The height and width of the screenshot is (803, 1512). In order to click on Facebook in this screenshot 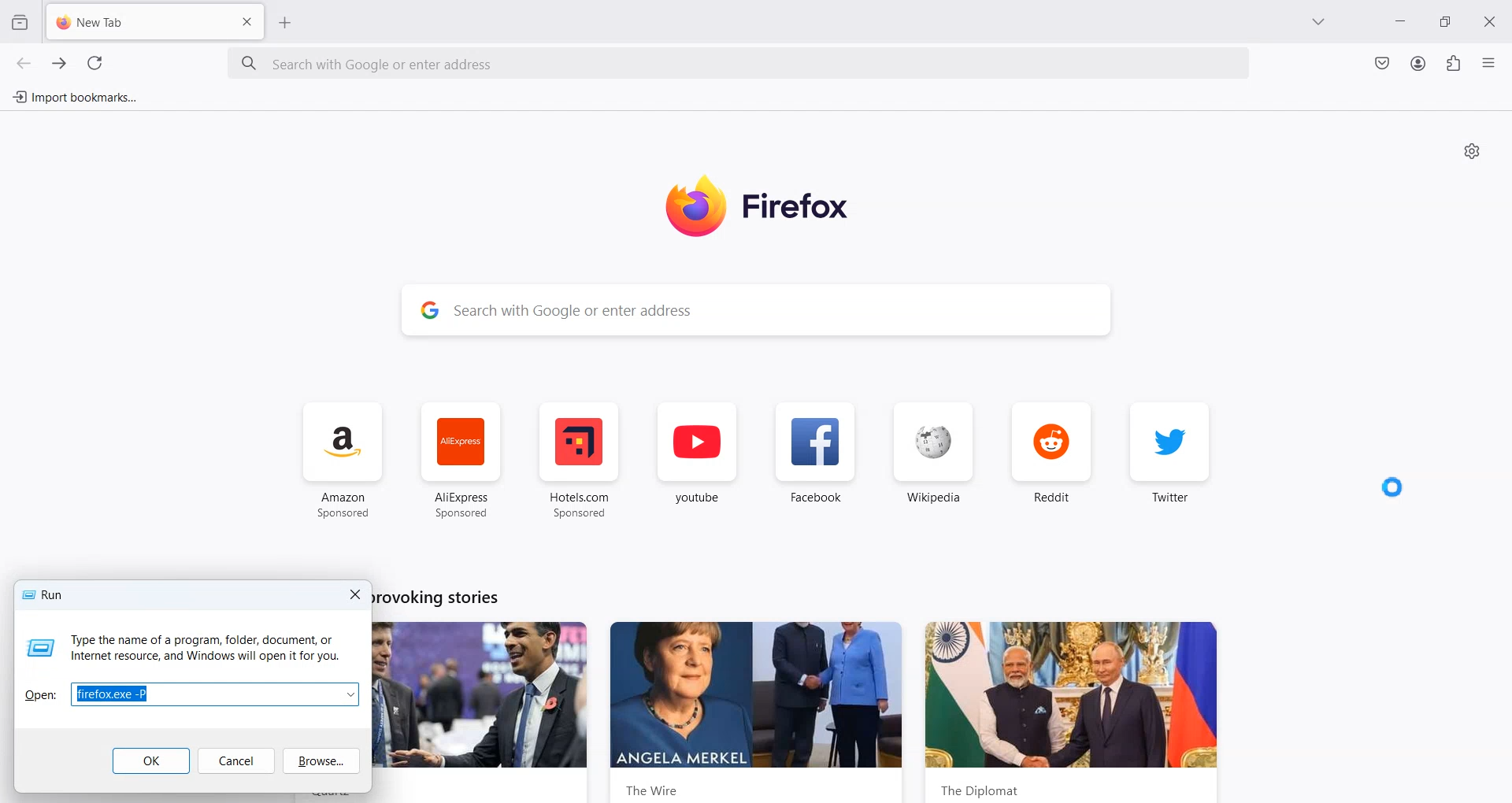, I will do `click(813, 461)`.